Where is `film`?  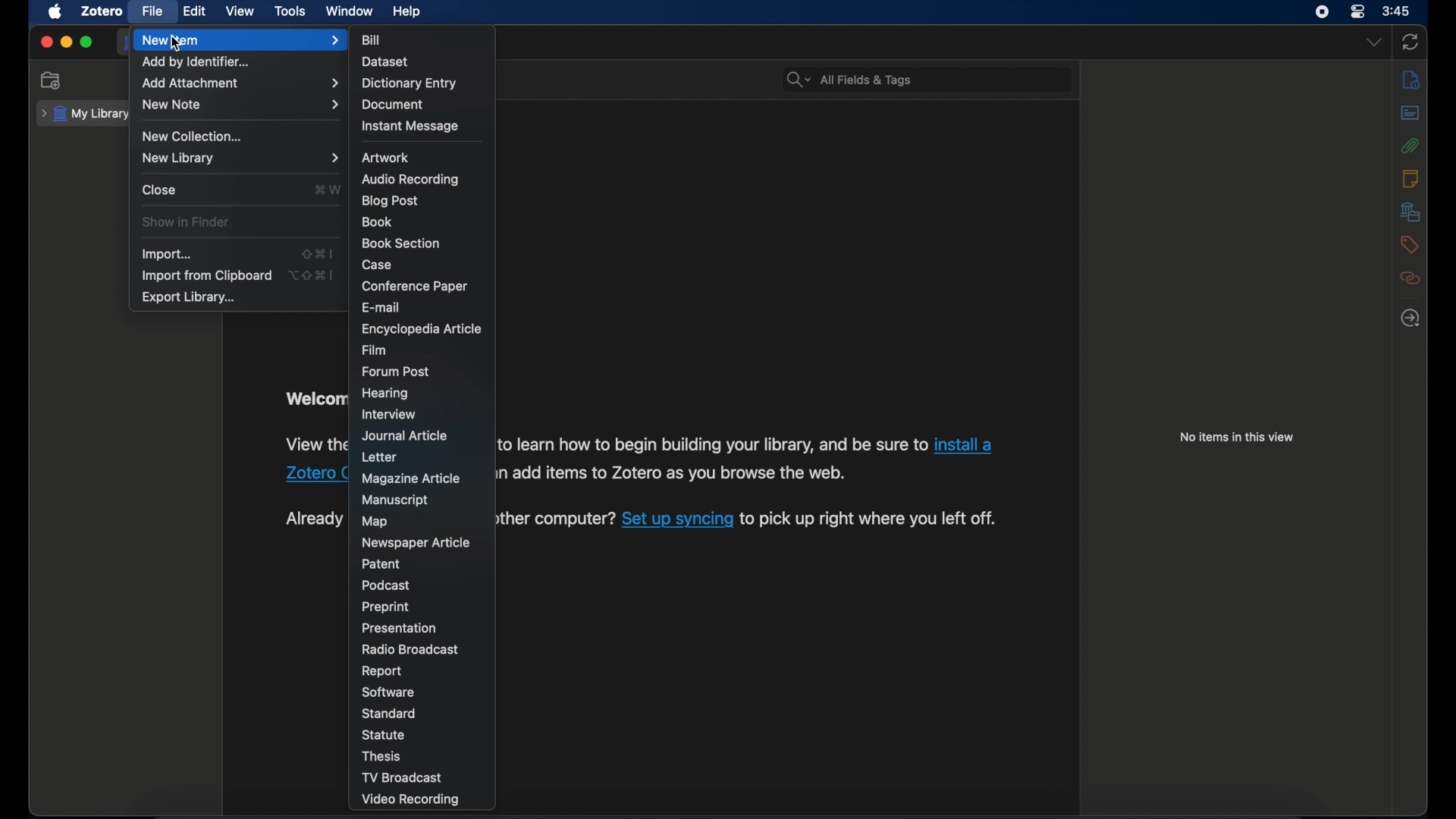
film is located at coordinates (378, 350).